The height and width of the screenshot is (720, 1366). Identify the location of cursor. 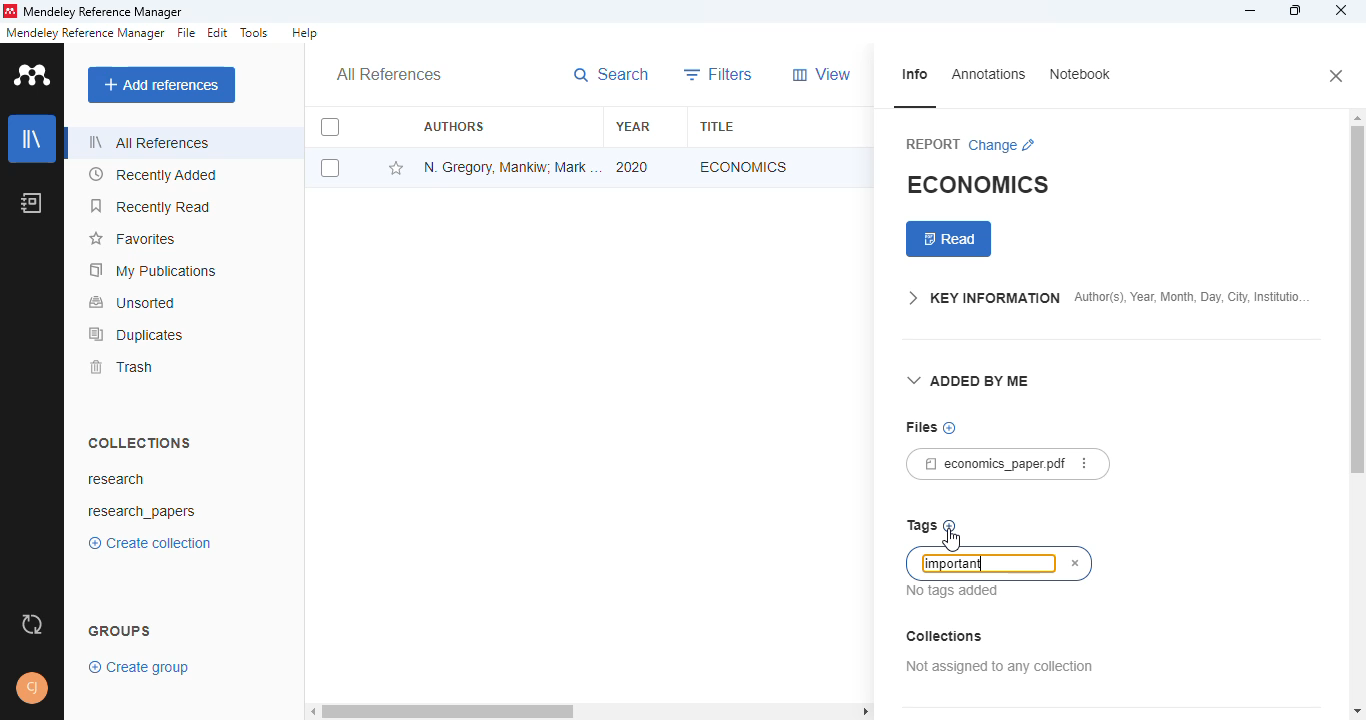
(950, 539).